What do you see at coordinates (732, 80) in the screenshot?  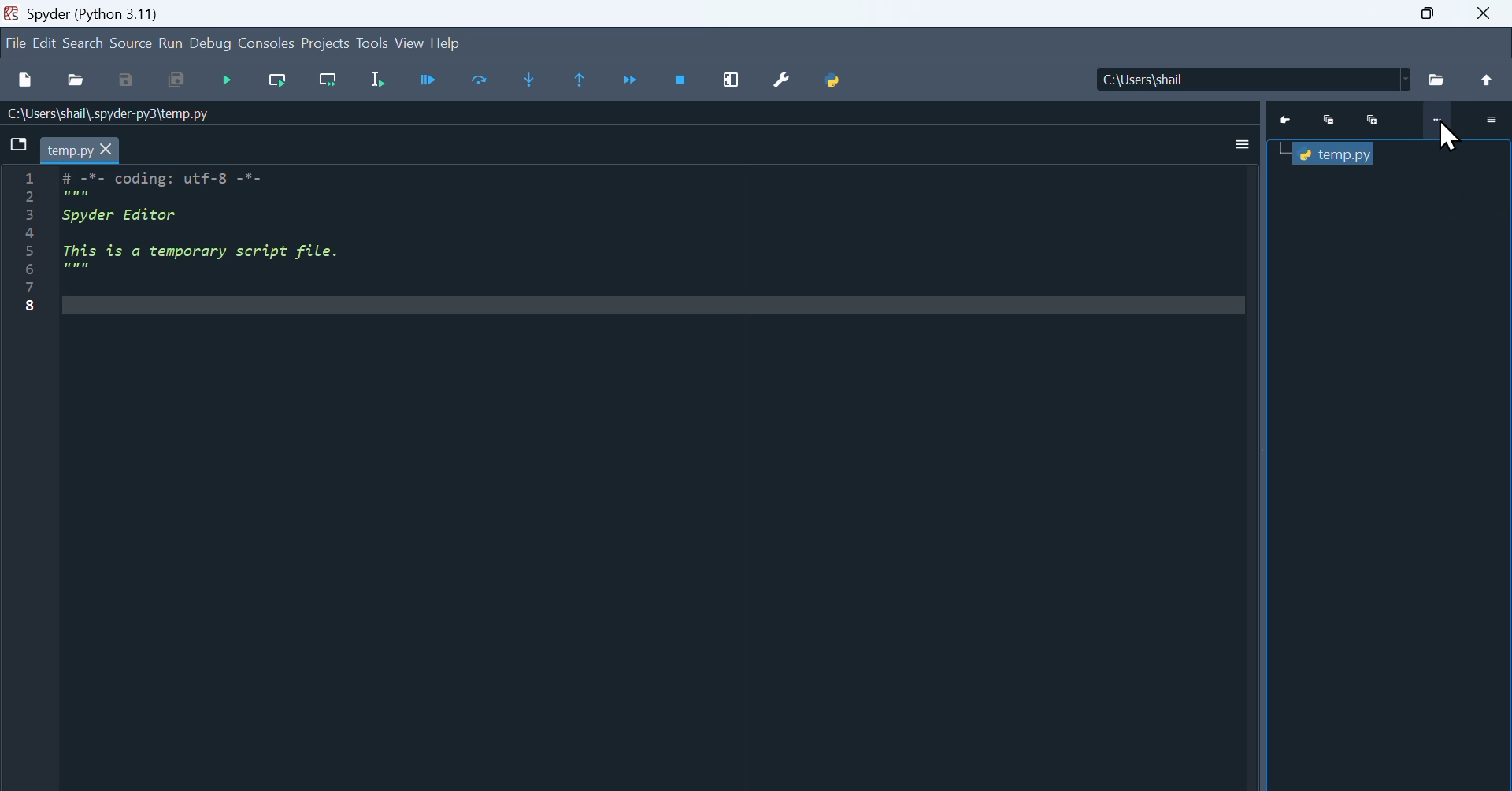 I see `Maximize current window` at bounding box center [732, 80].